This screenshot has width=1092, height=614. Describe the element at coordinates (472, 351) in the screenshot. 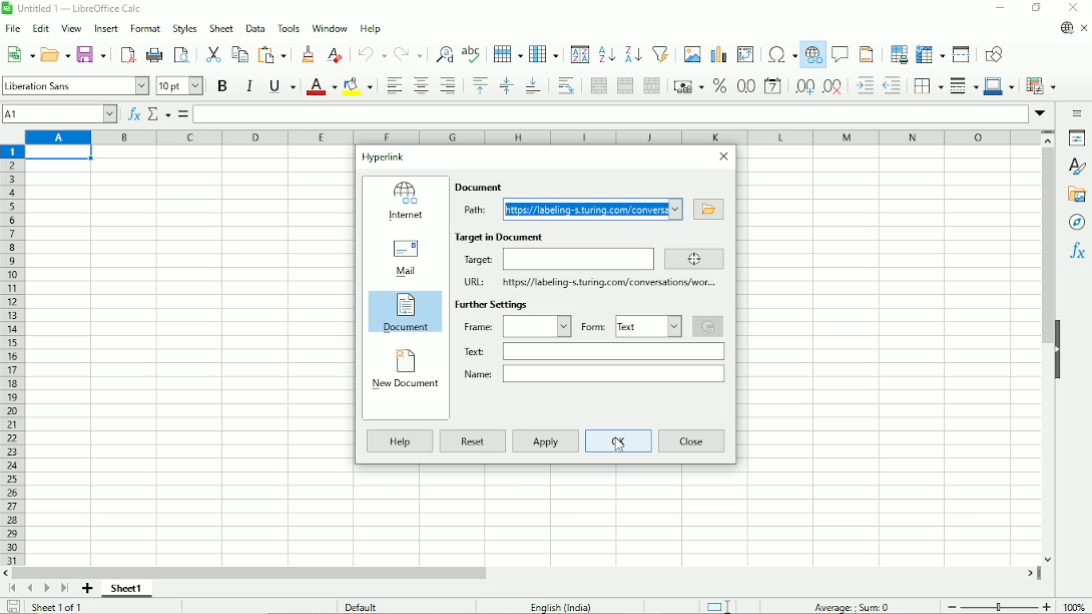

I see `Text` at that location.